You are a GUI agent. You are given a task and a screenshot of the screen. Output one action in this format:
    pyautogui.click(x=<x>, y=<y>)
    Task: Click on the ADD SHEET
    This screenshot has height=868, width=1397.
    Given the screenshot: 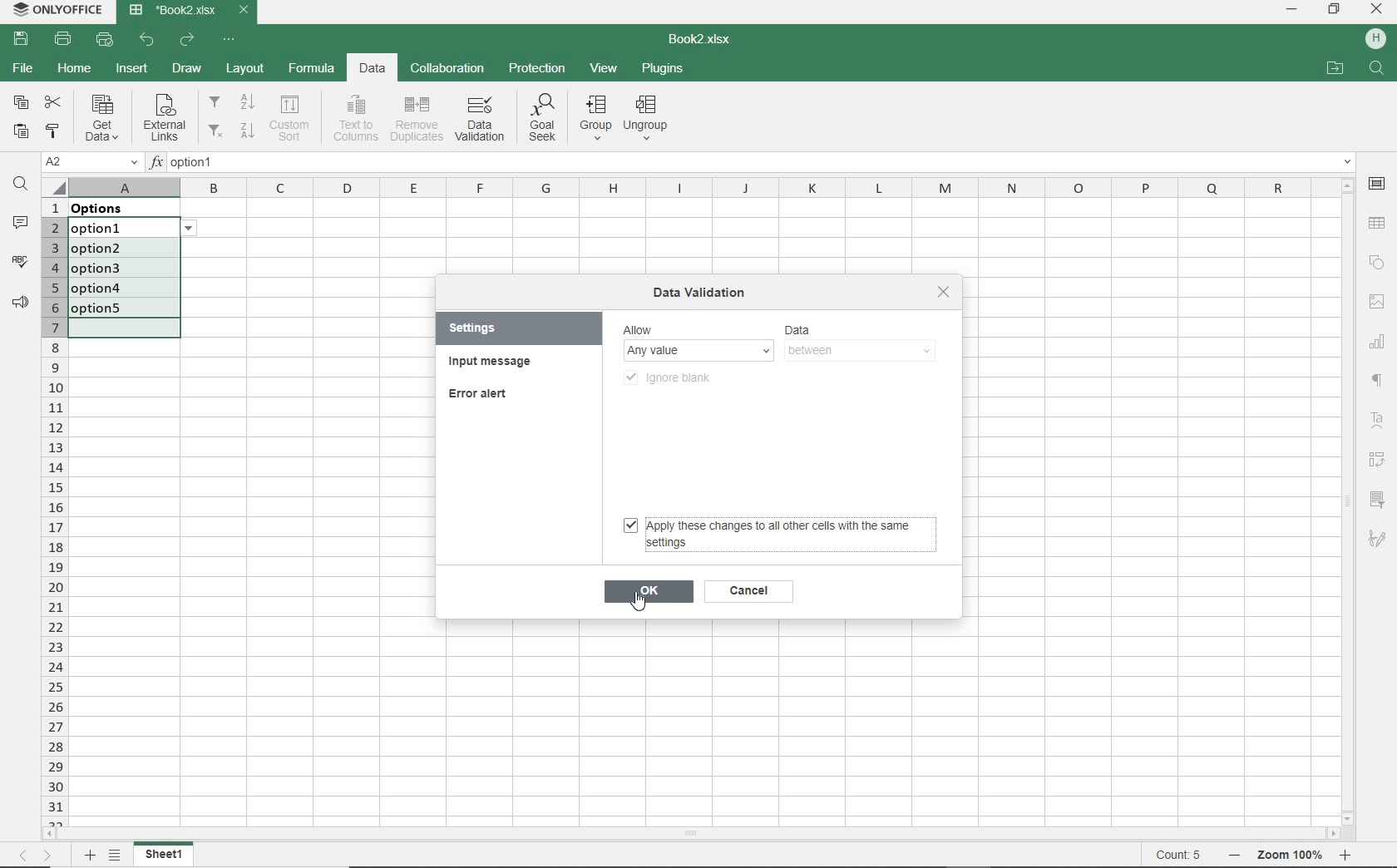 What is the action you would take?
    pyautogui.click(x=90, y=856)
    